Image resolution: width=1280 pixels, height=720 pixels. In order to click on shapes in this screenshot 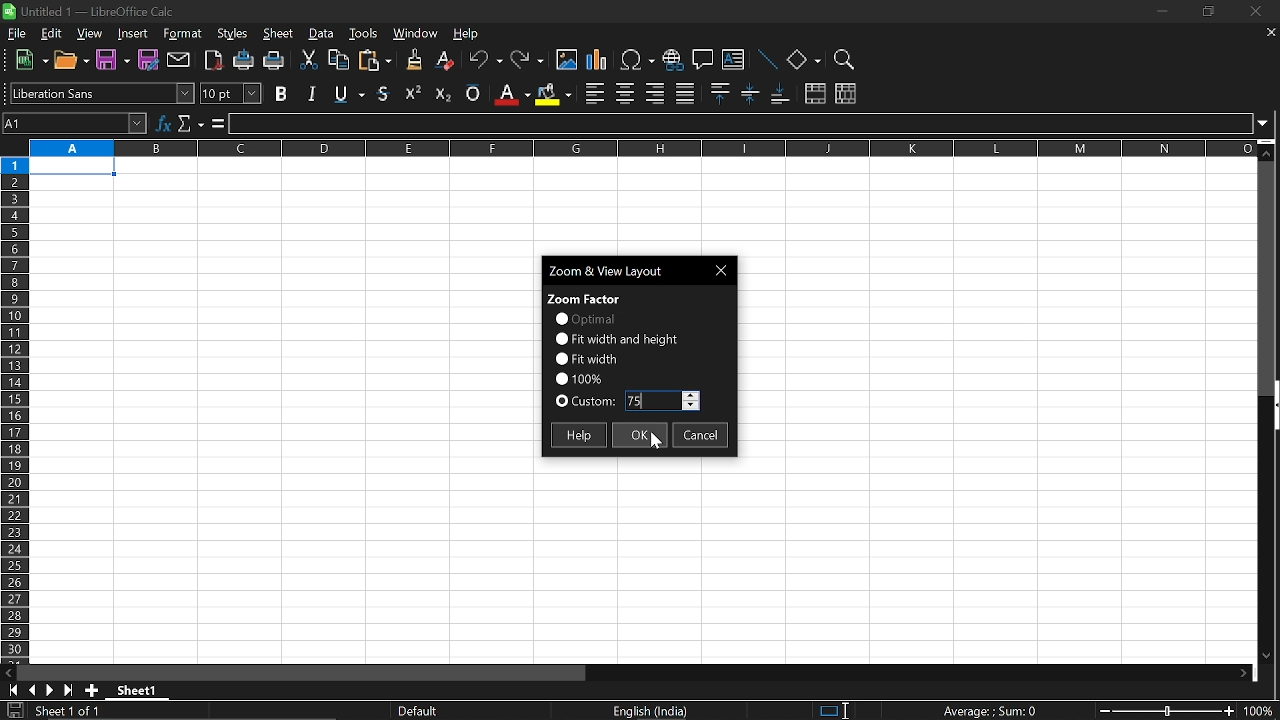, I will do `click(803, 61)`.